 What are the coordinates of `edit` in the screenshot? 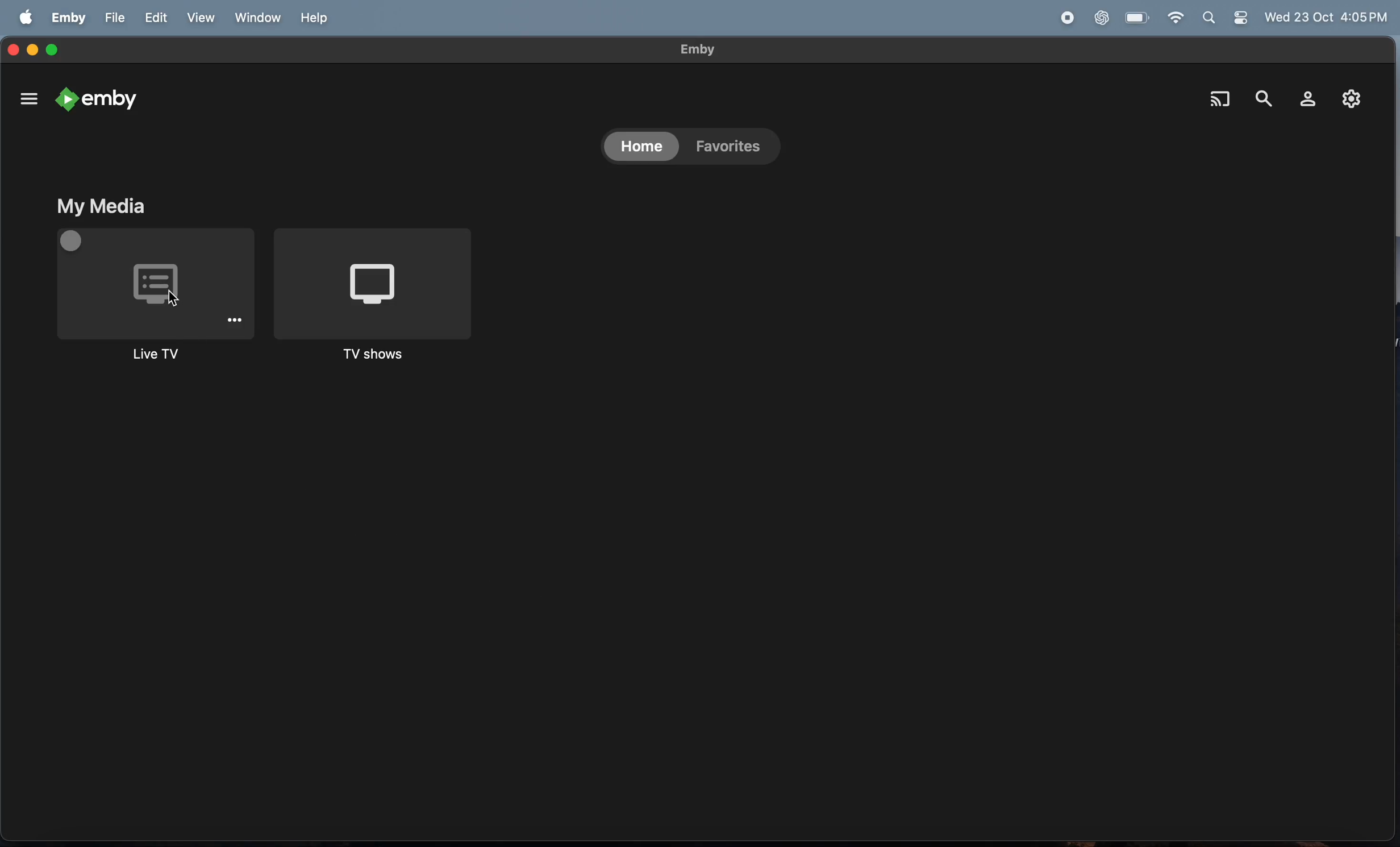 It's located at (155, 18).